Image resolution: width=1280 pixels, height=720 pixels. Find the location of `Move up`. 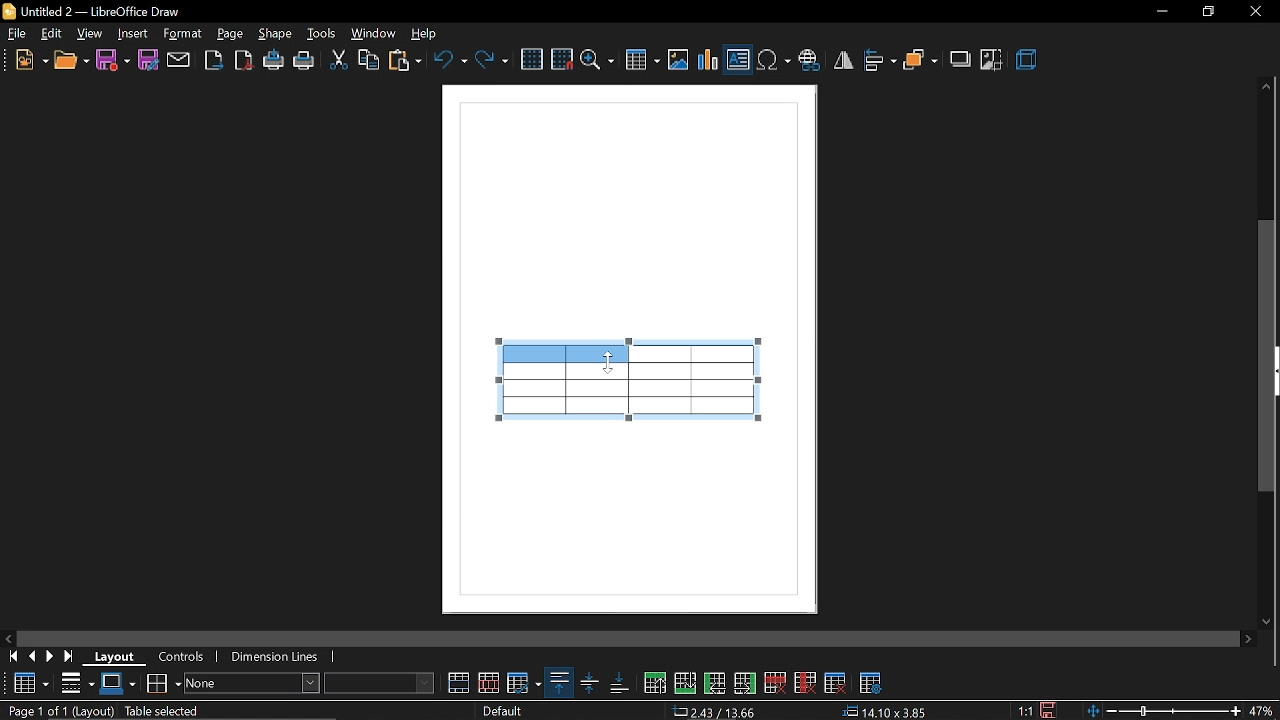

Move up is located at coordinates (1266, 84).